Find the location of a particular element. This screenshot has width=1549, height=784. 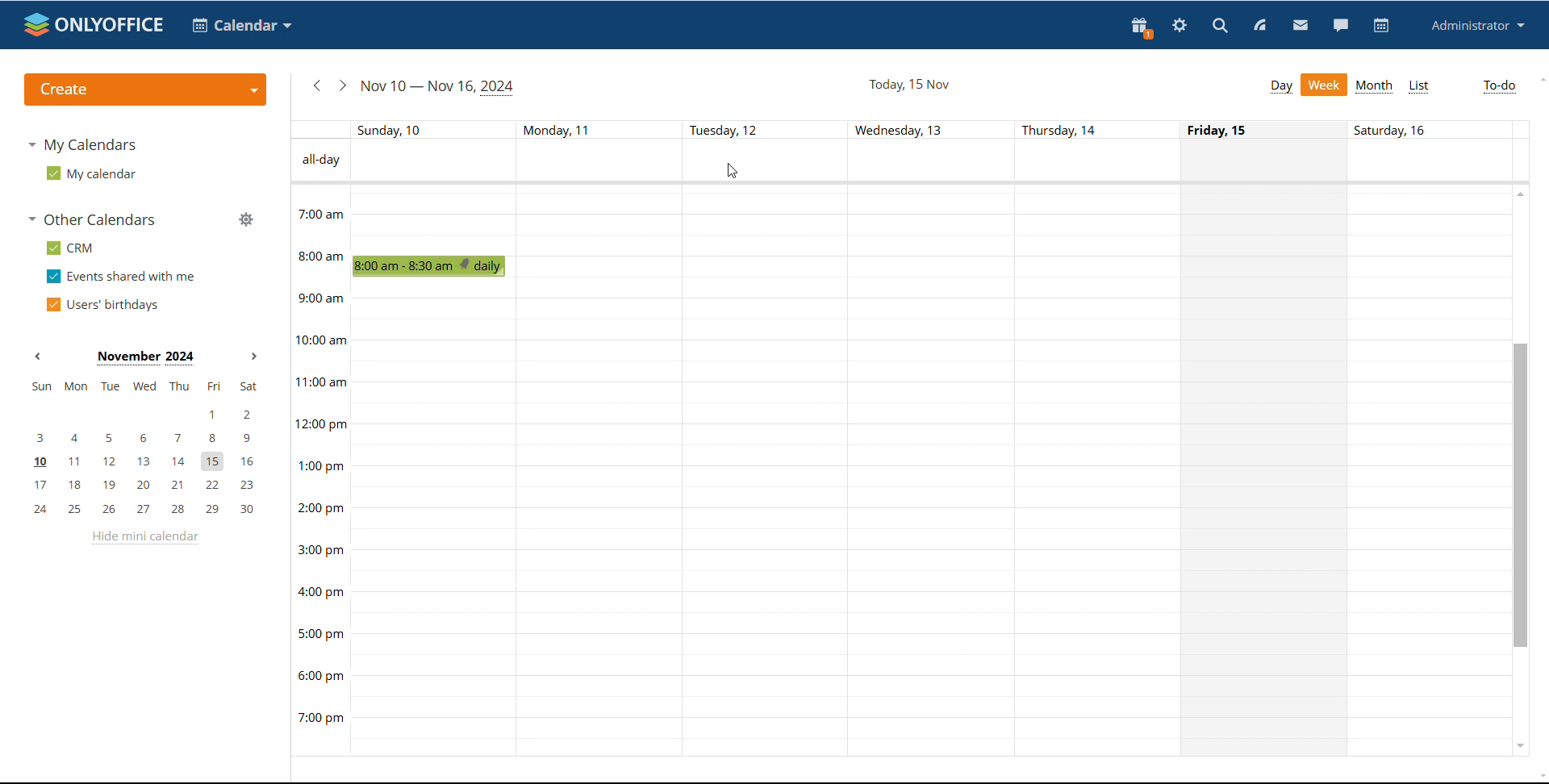

next month is located at coordinates (254, 357).